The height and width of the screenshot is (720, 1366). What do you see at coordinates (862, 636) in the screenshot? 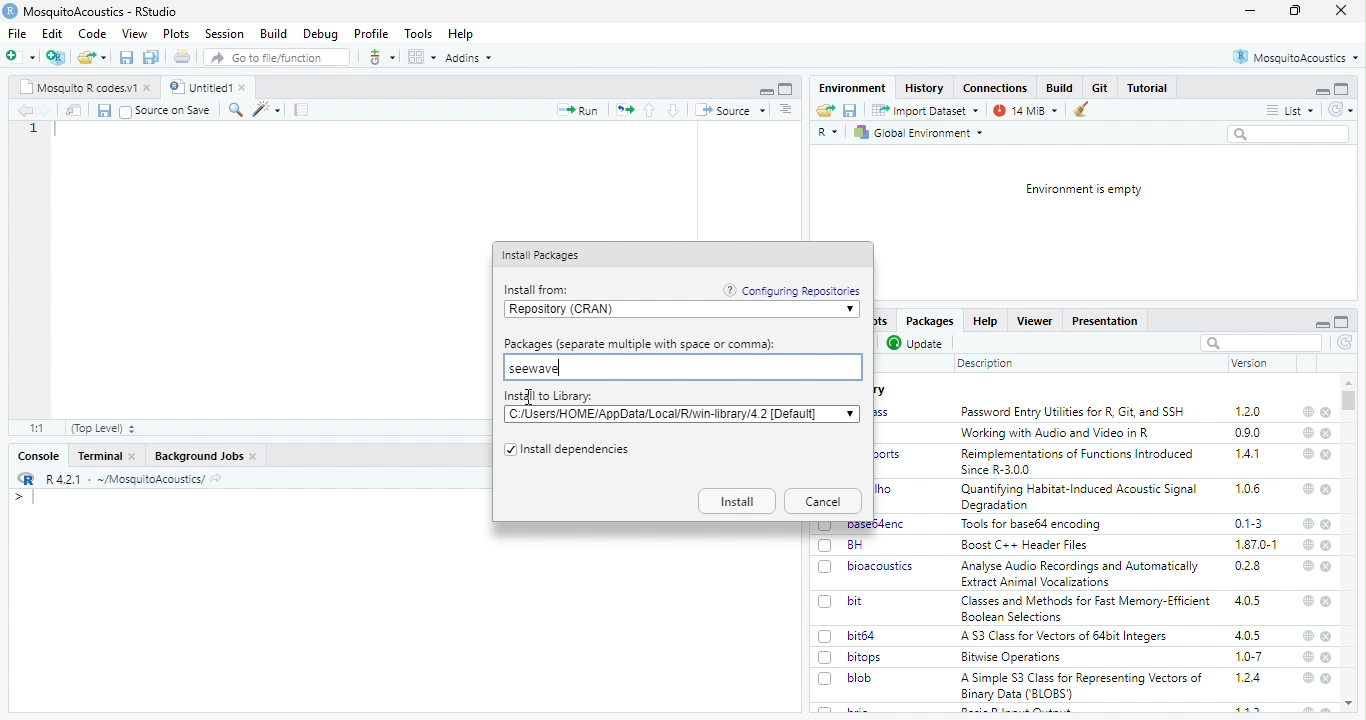
I see `bit64` at bounding box center [862, 636].